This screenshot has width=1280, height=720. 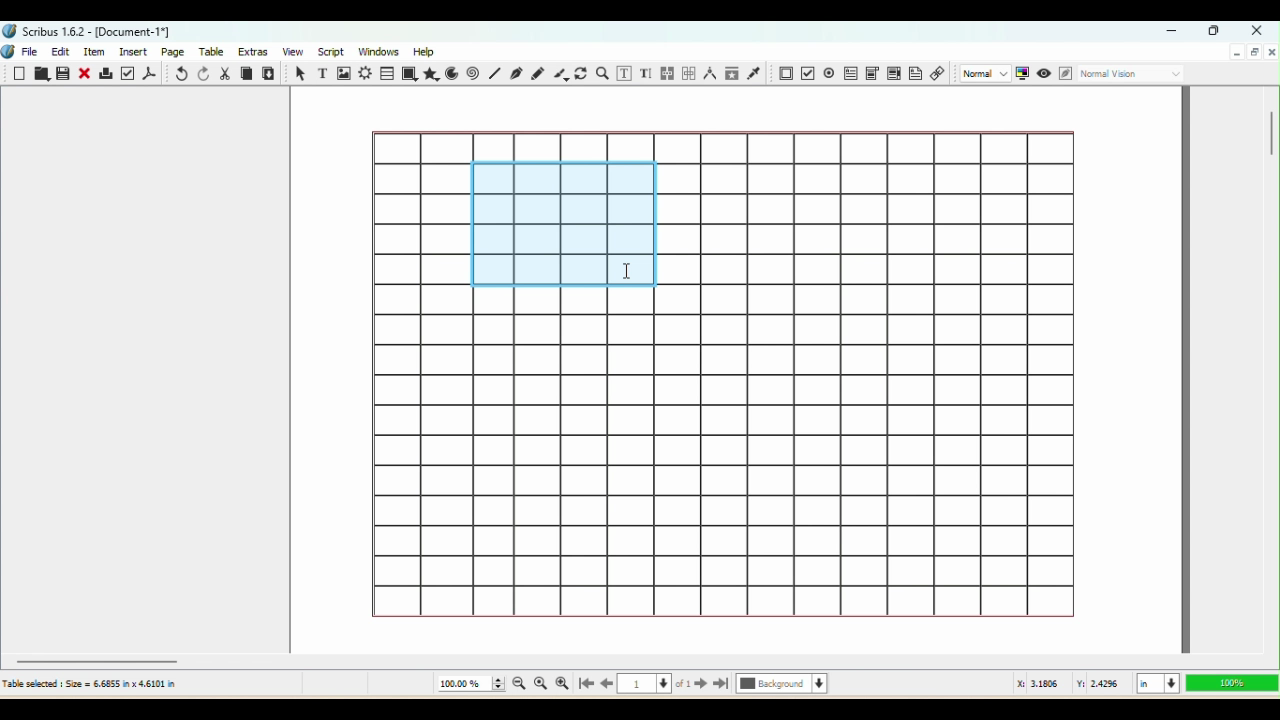 What do you see at coordinates (151, 73) in the screenshot?
I see `Save as PDF` at bounding box center [151, 73].